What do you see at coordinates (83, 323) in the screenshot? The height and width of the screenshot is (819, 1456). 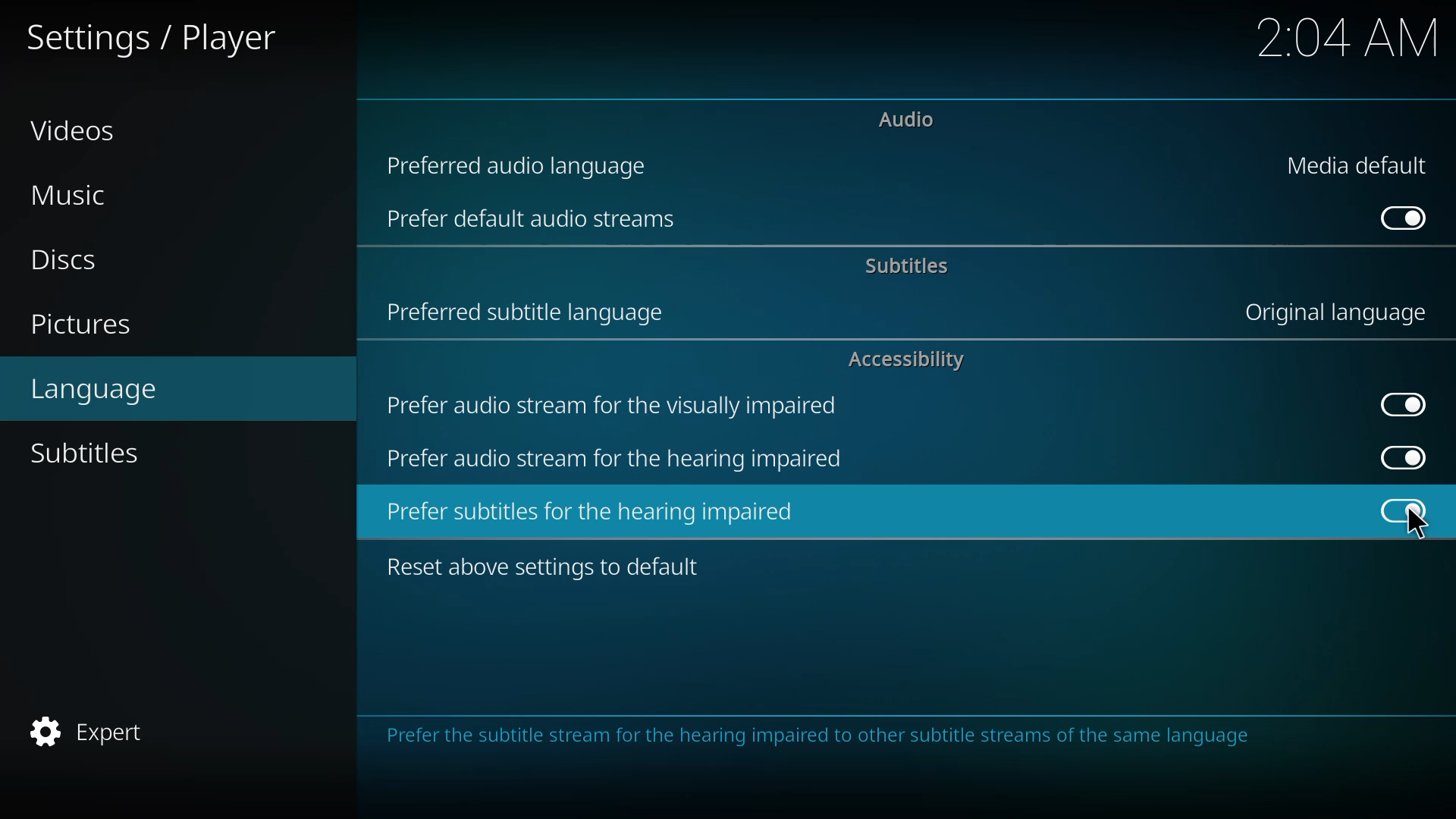 I see `pictures` at bounding box center [83, 323].